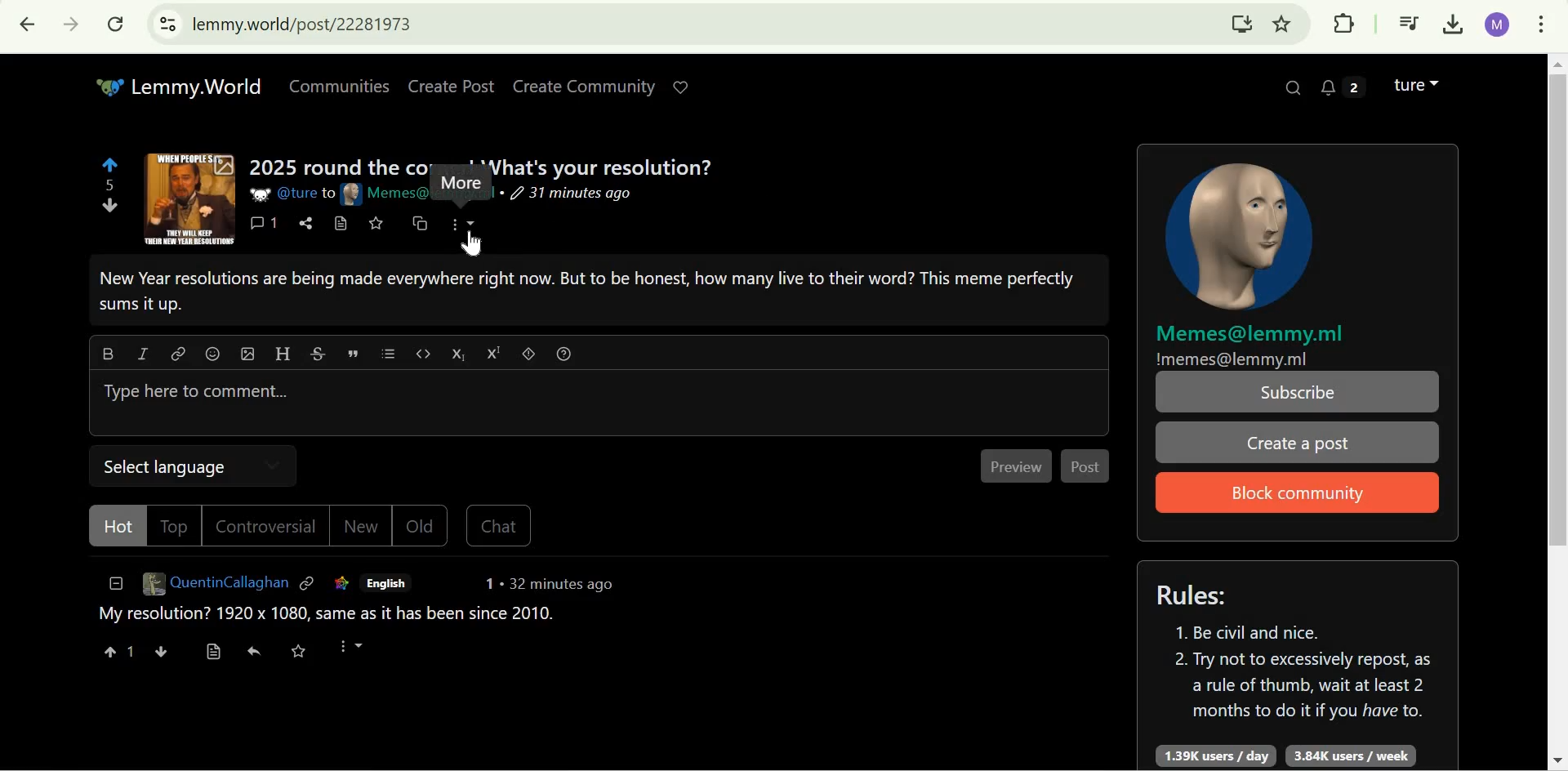  Describe the element at coordinates (1299, 392) in the screenshot. I see `Subscribe` at that location.